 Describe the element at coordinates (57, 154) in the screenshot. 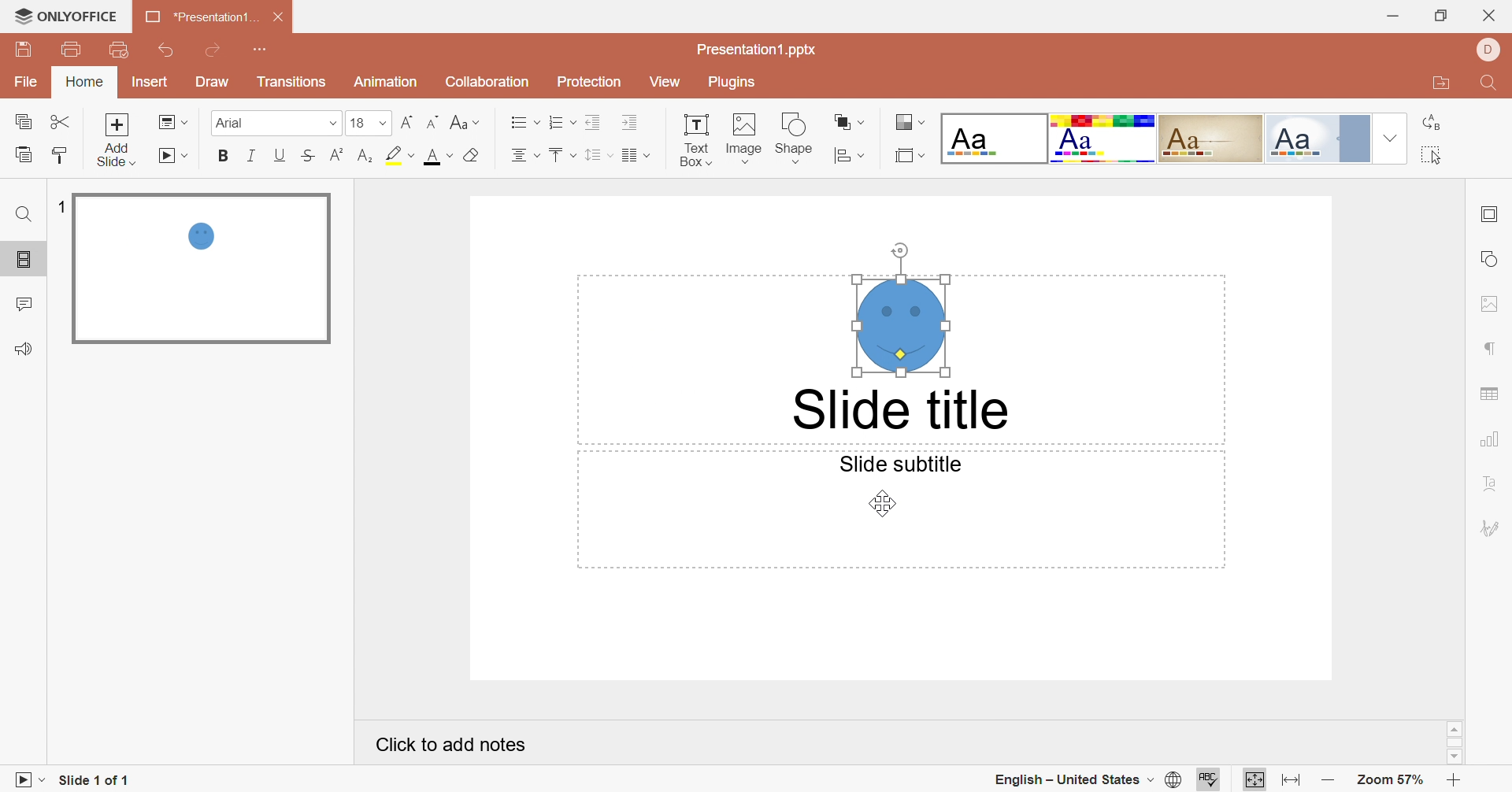

I see `Copy style` at that location.